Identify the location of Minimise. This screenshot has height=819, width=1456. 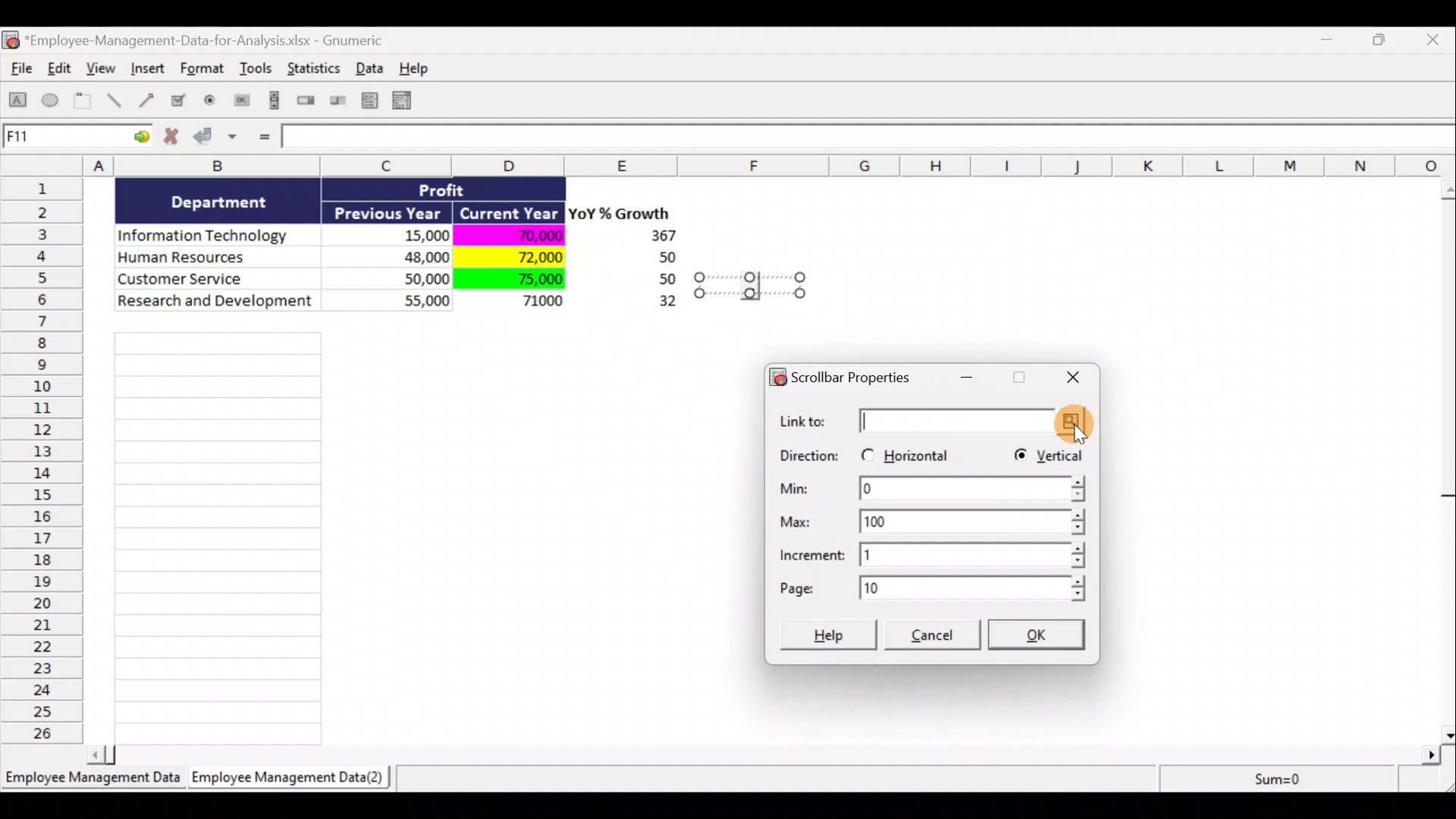
(1330, 42).